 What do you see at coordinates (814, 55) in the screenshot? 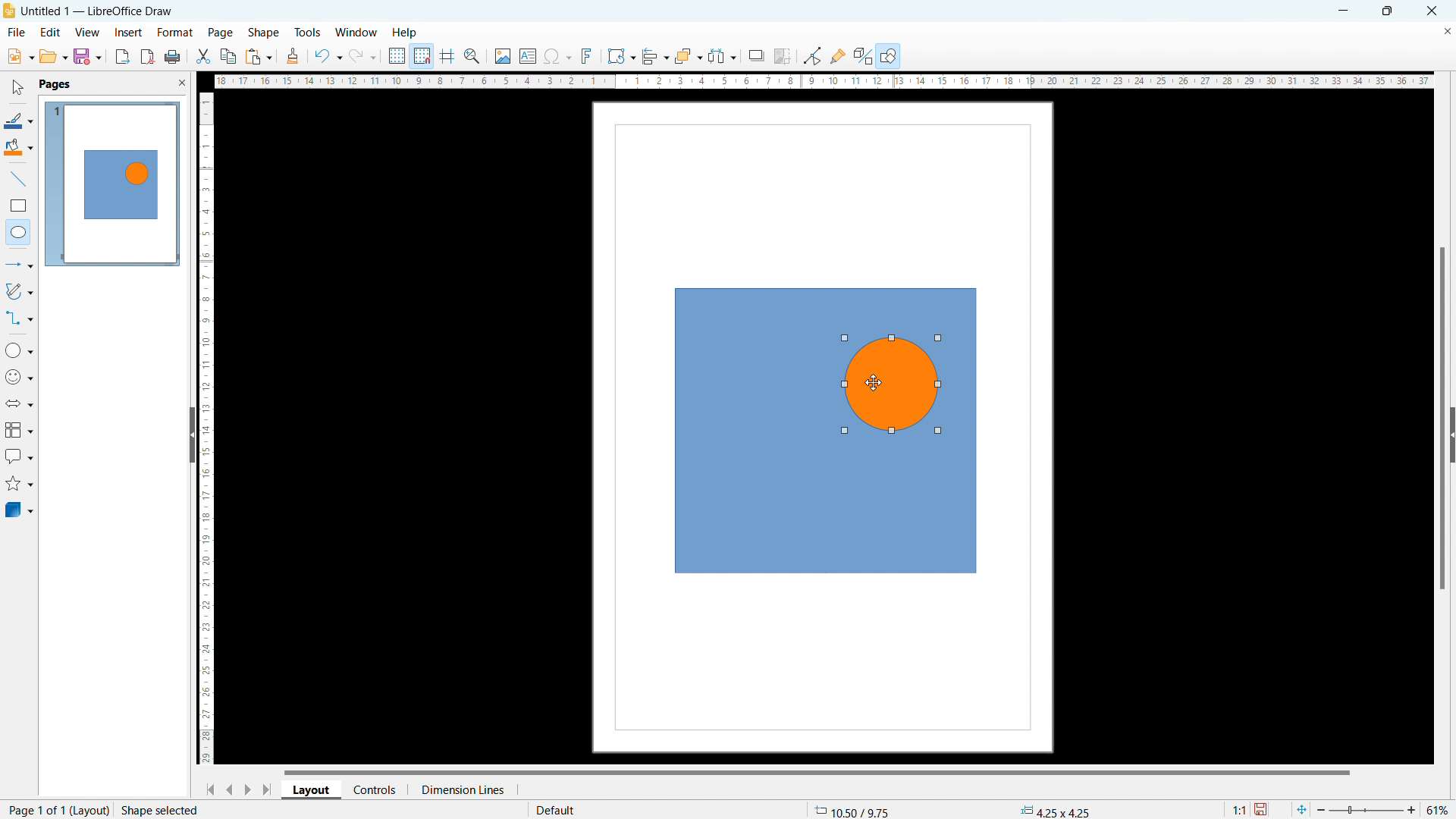
I see `toggle point edit mode` at bounding box center [814, 55].